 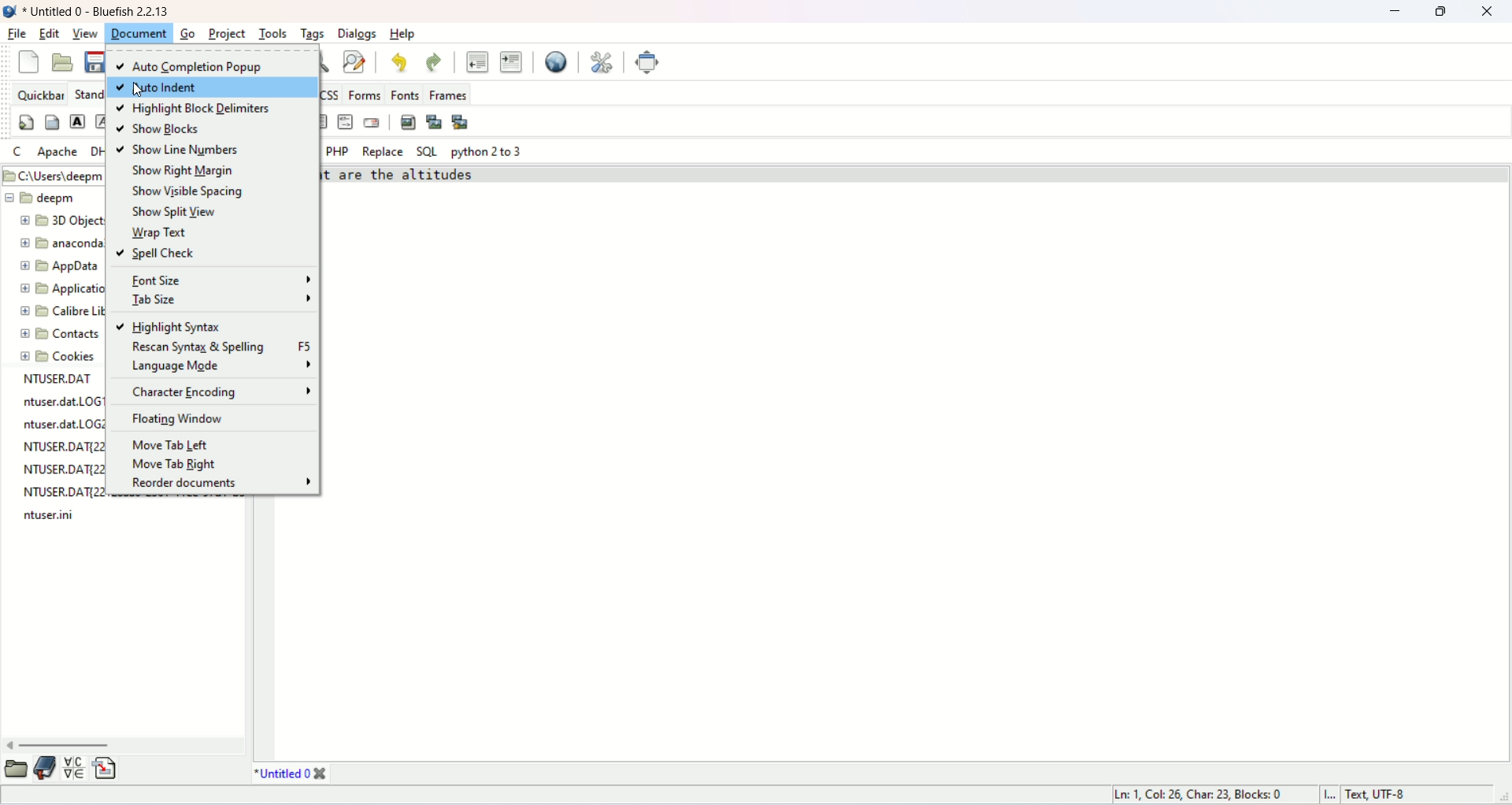 I want to click on highlight syntax, so click(x=171, y=327).